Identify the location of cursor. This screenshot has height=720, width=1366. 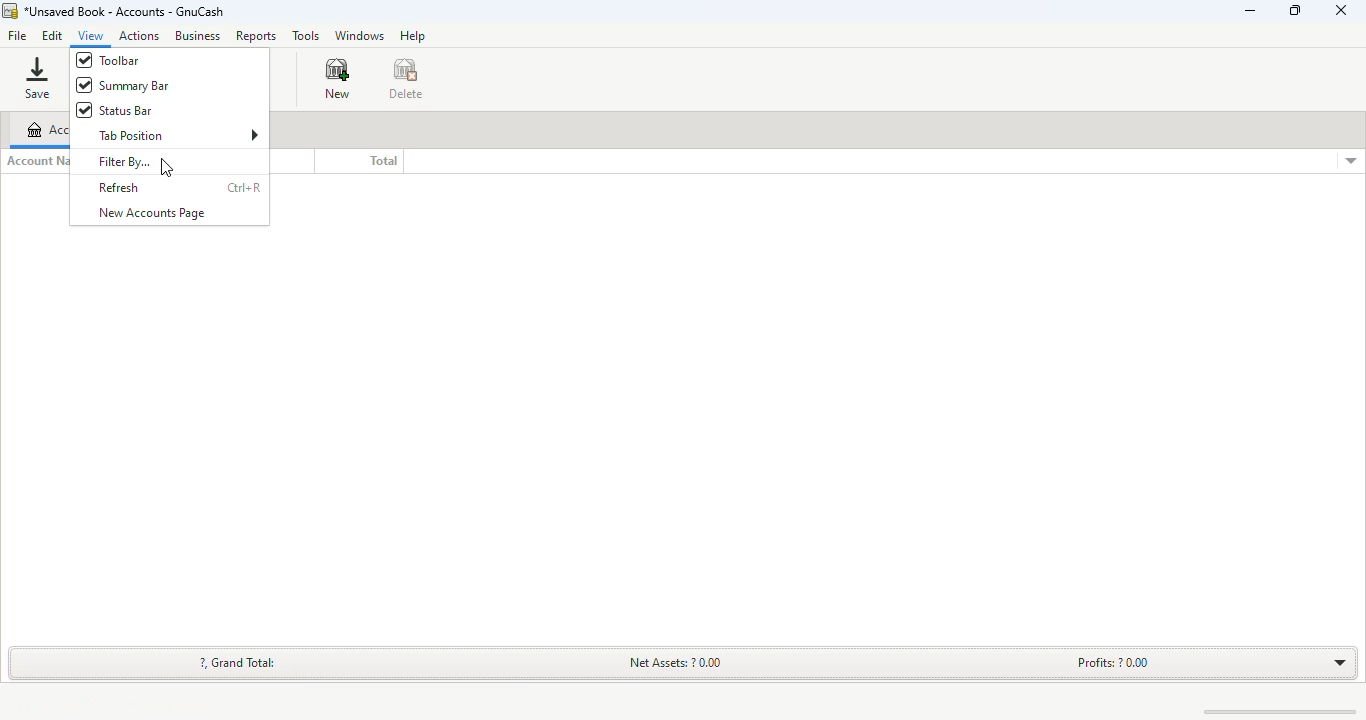
(167, 168).